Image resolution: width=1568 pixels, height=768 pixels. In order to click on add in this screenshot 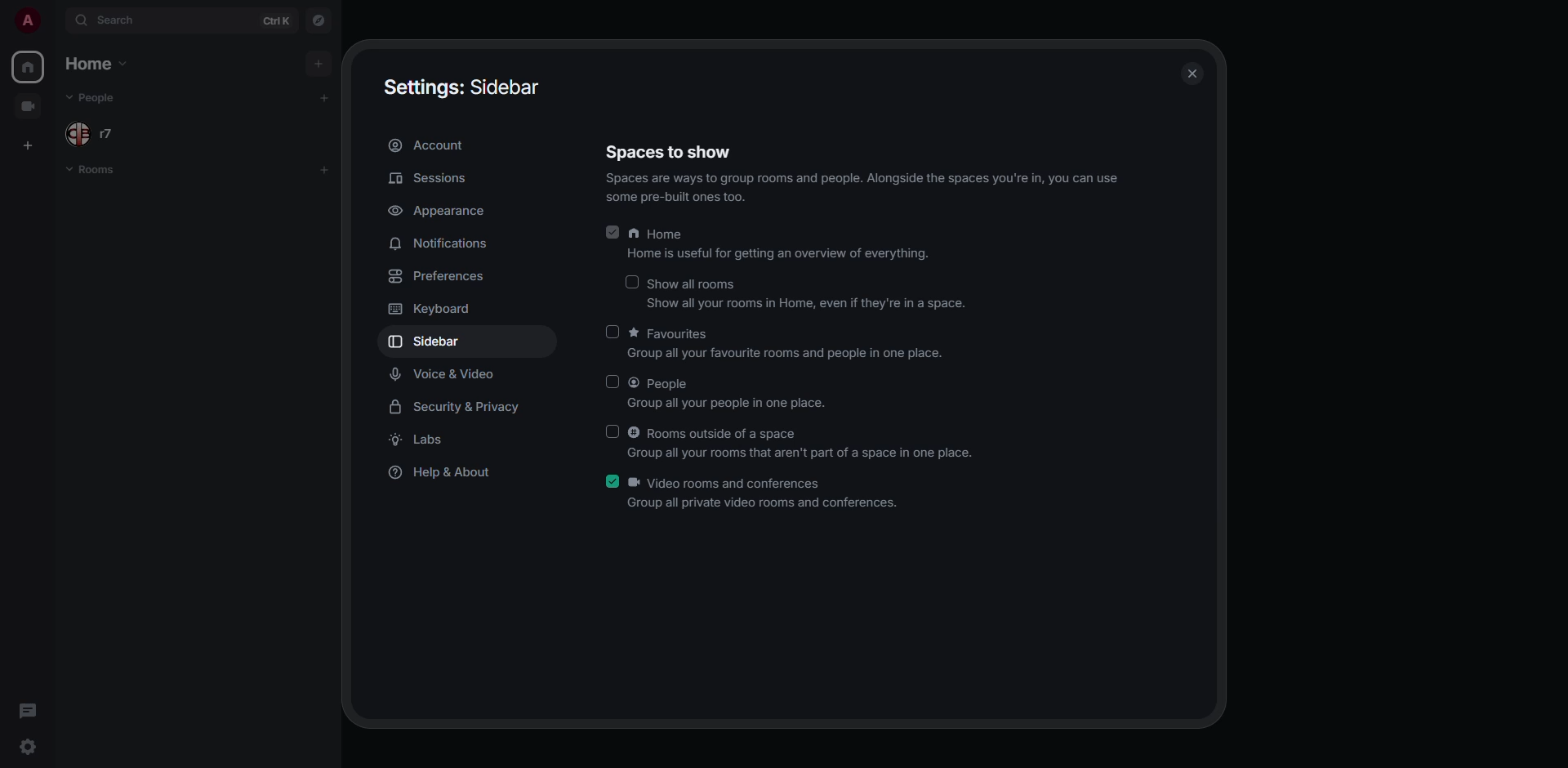, I will do `click(318, 98)`.